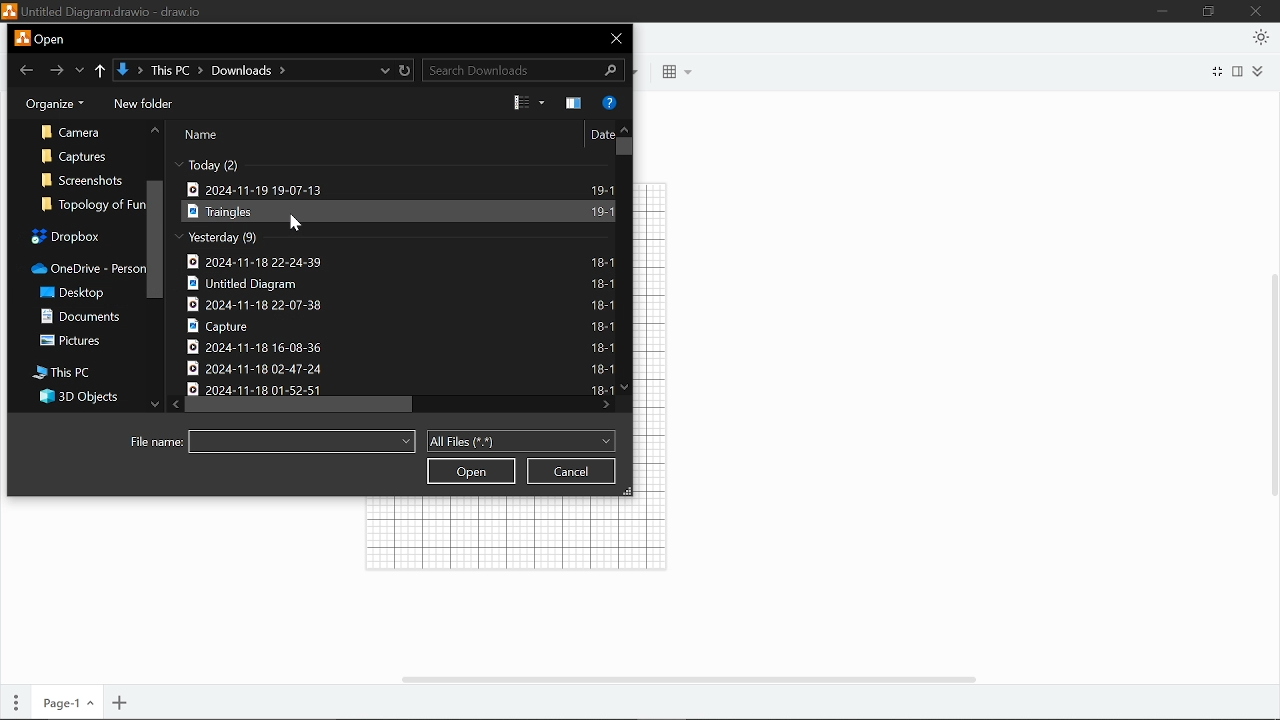 The width and height of the screenshot is (1280, 720). Describe the element at coordinates (571, 470) in the screenshot. I see `cancel` at that location.